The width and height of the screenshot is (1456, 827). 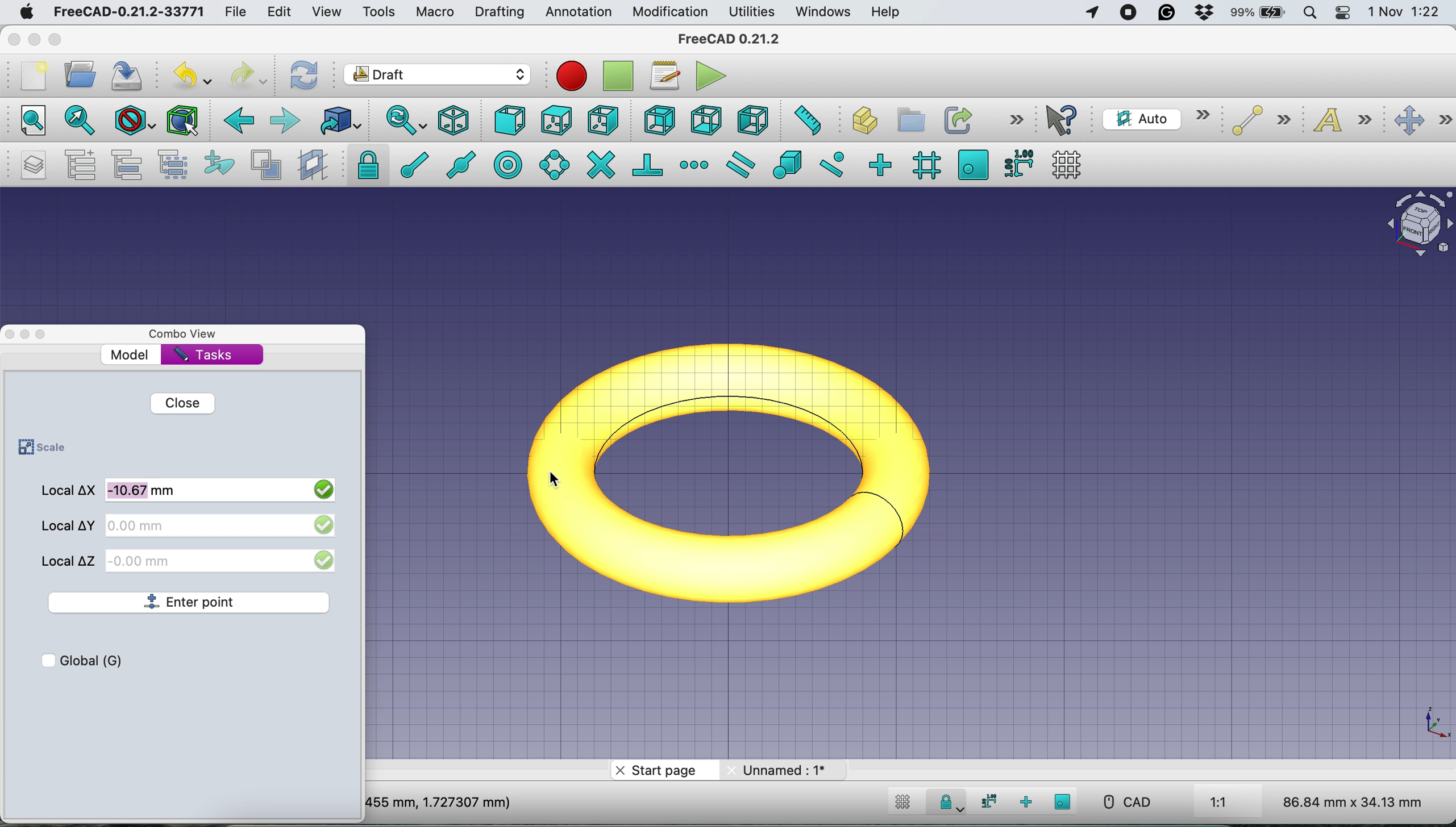 What do you see at coordinates (1257, 121) in the screenshot?
I see `line` at bounding box center [1257, 121].